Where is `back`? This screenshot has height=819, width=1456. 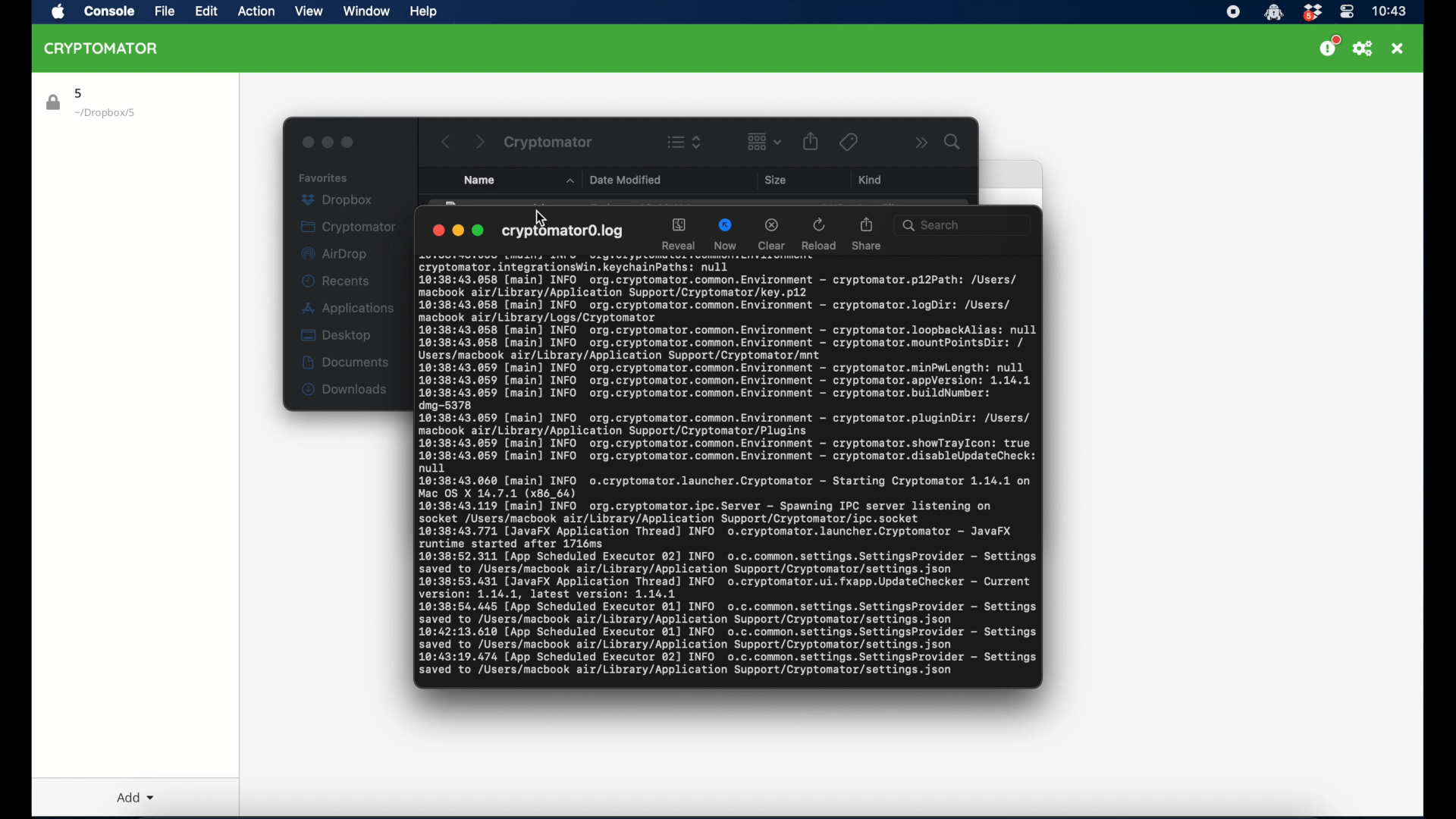
back is located at coordinates (446, 142).